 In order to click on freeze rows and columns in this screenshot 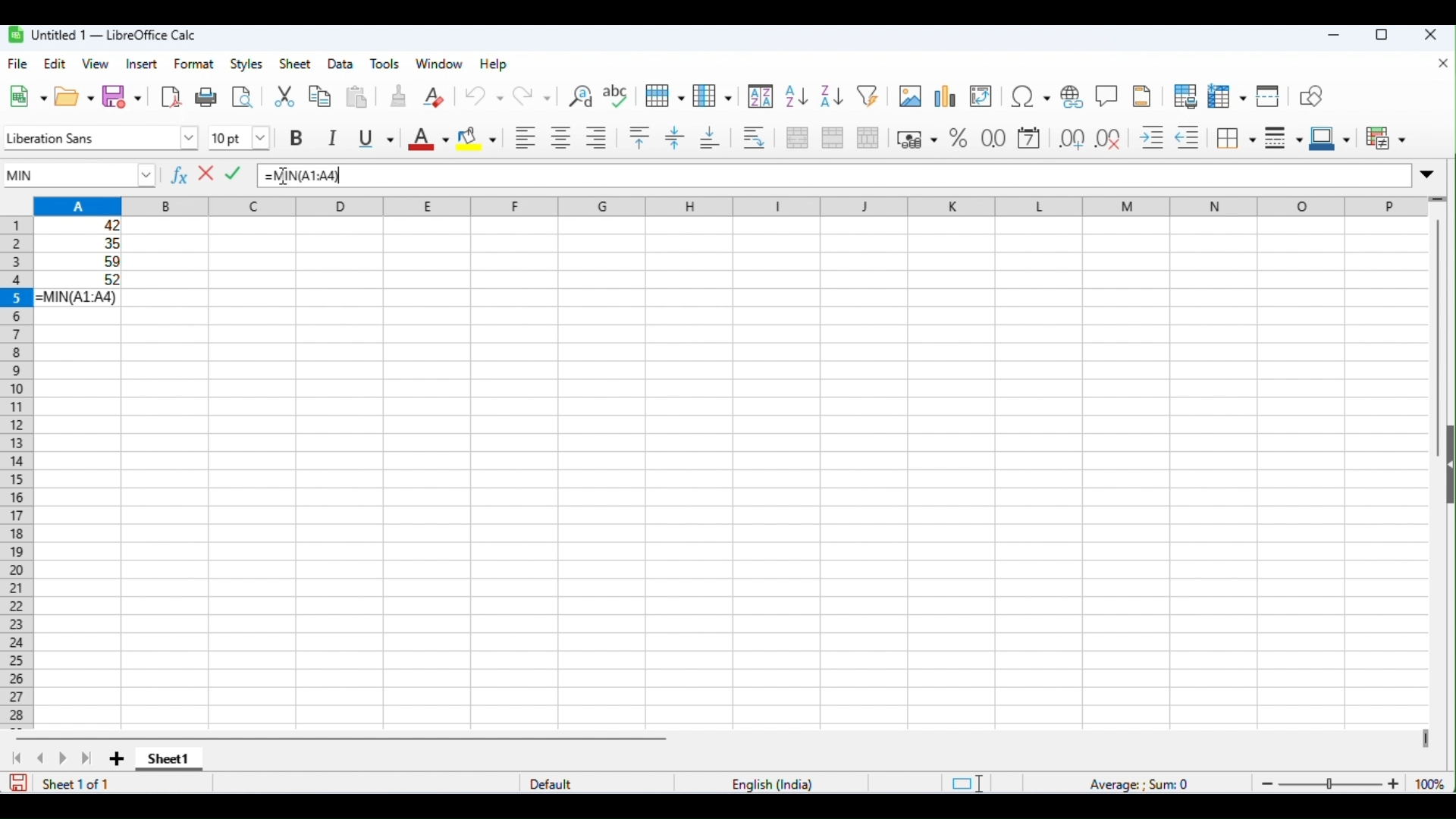, I will do `click(1225, 96)`.